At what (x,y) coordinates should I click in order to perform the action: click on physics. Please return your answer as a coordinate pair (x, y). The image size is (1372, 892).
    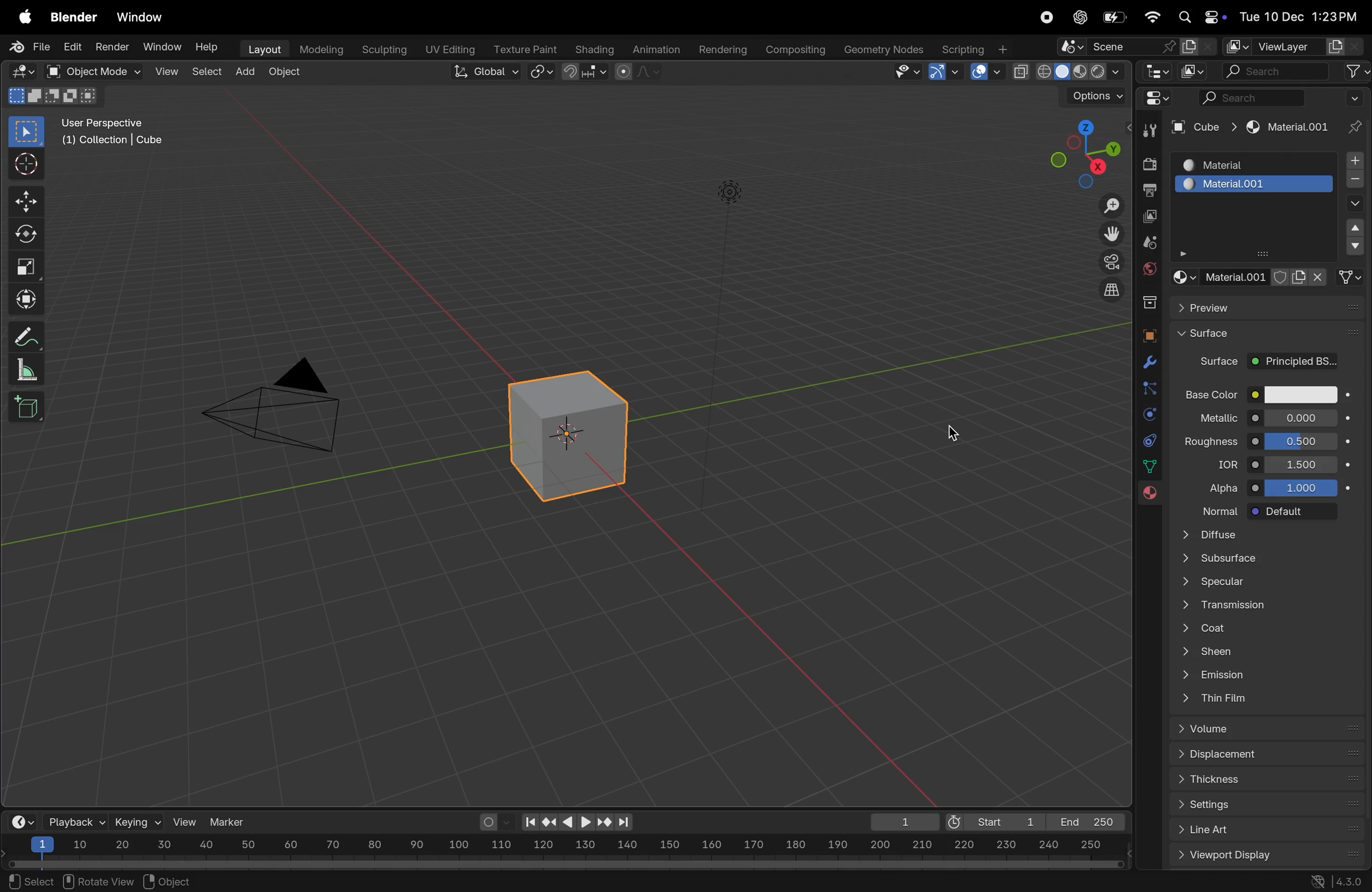
    Looking at the image, I should click on (1148, 415).